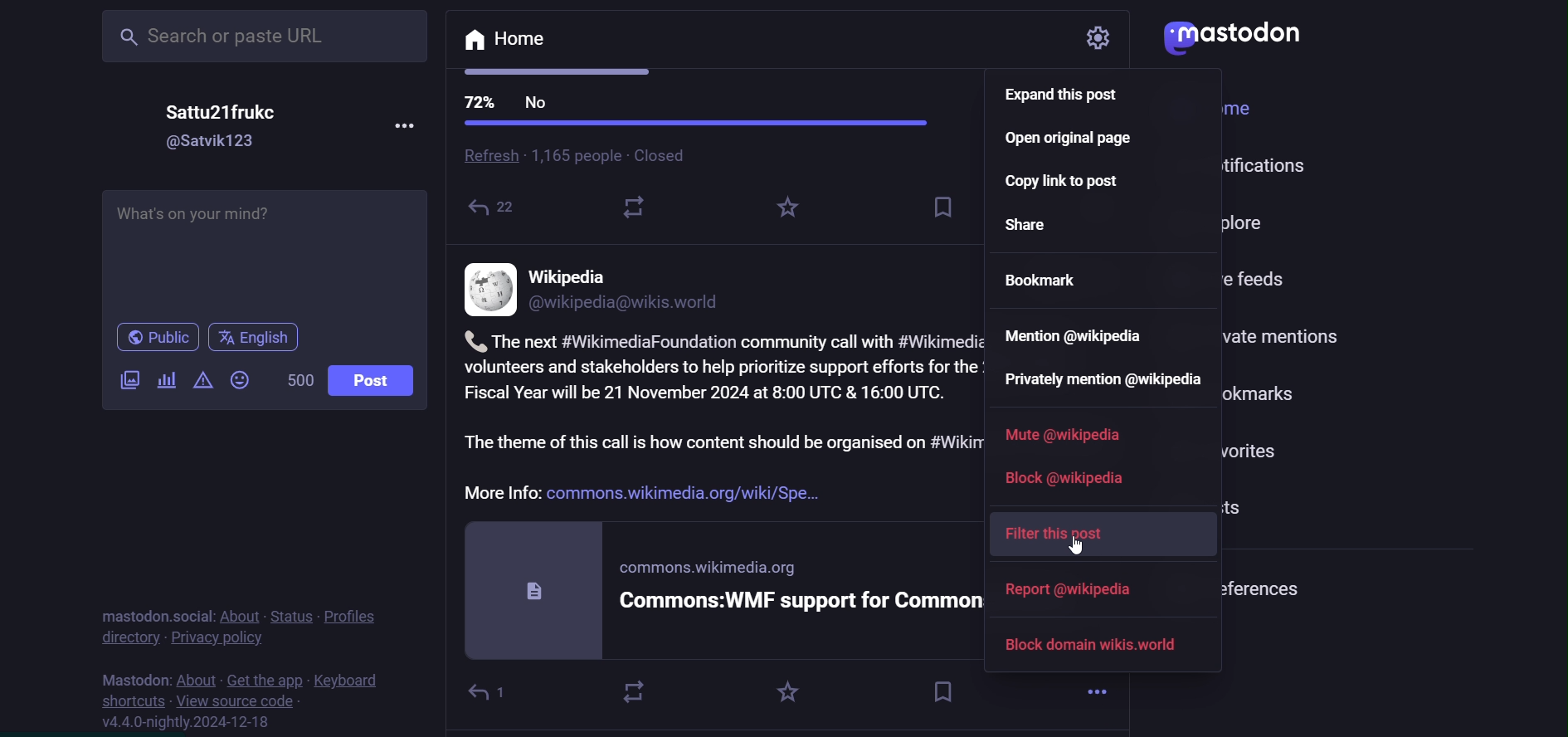 The image size is (1568, 737). Describe the element at coordinates (479, 101) in the screenshot. I see `72%` at that location.